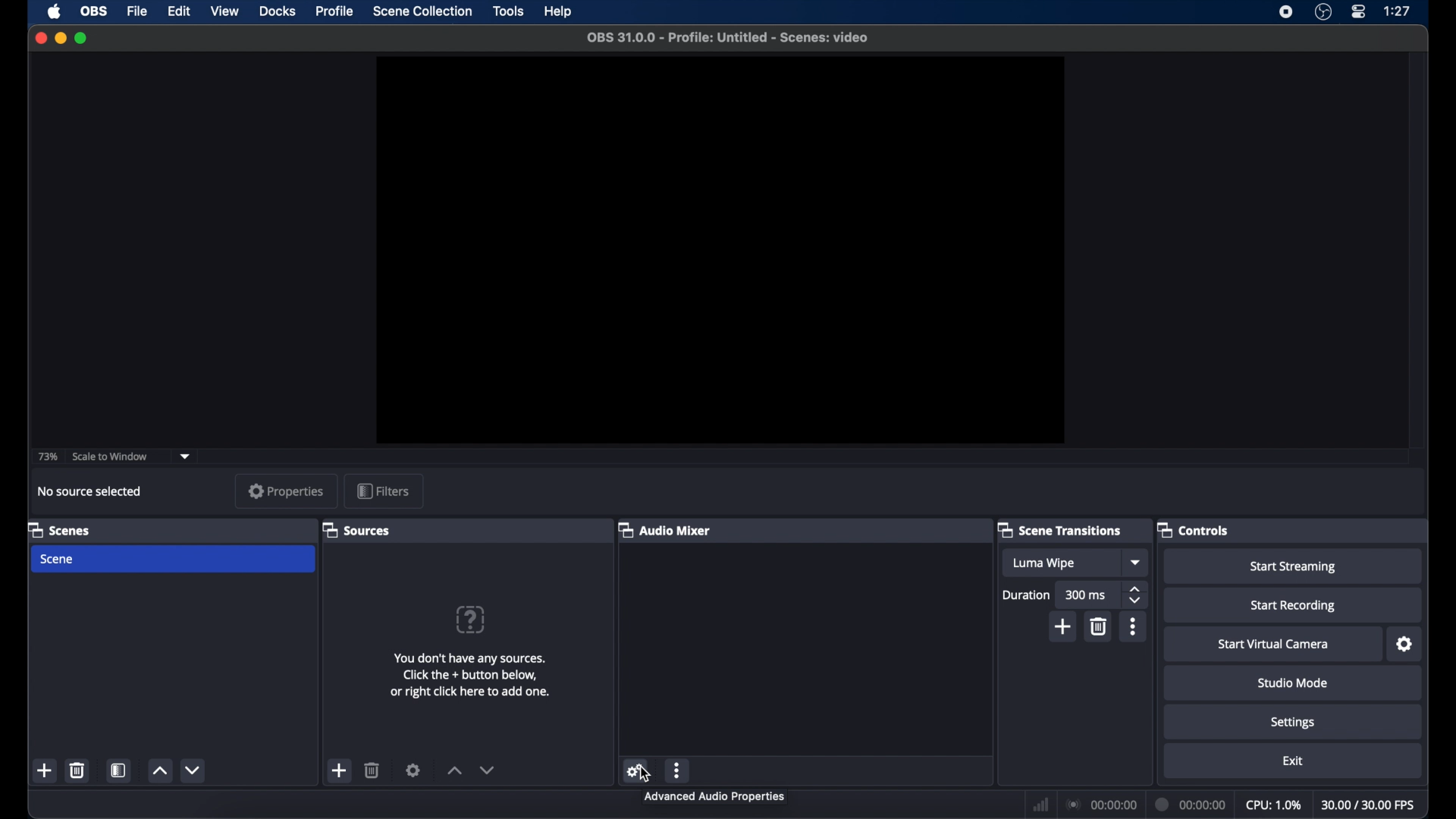 Image resolution: width=1456 pixels, height=819 pixels. Describe the element at coordinates (647, 772) in the screenshot. I see `cursor` at that location.